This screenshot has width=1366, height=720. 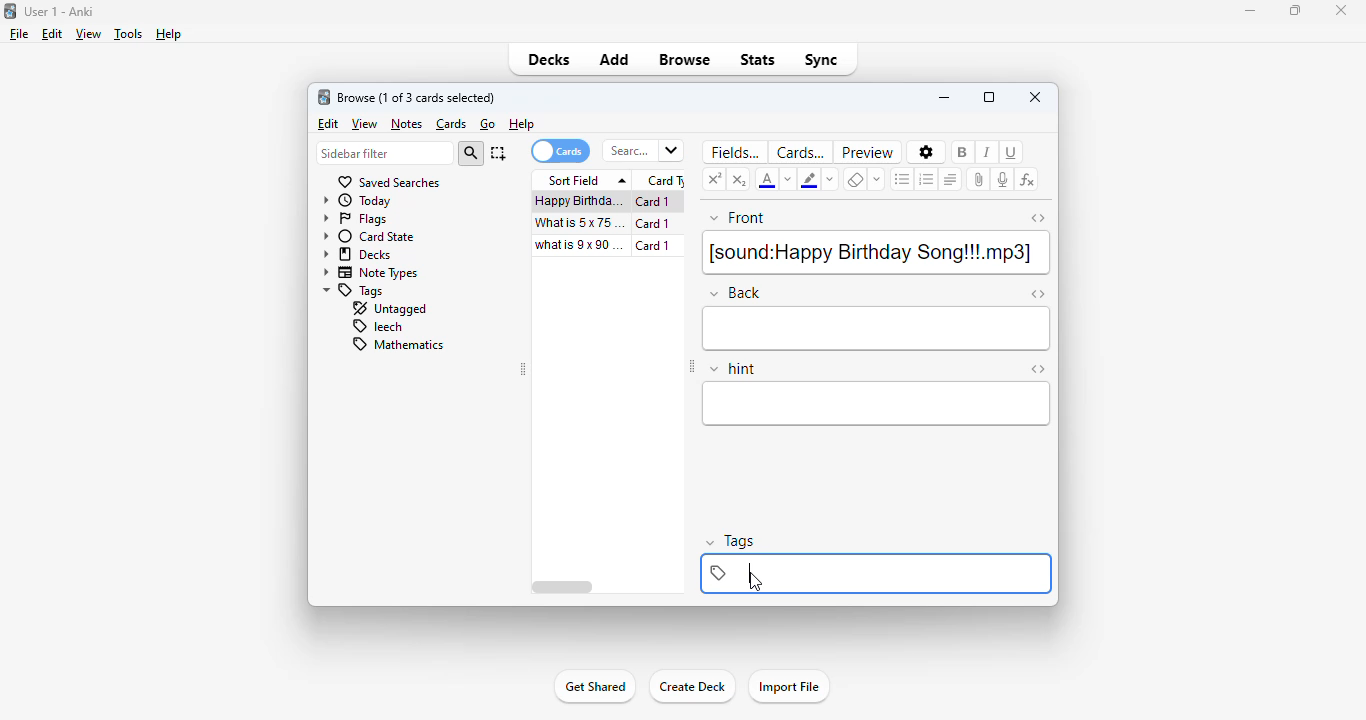 What do you see at coordinates (692, 368) in the screenshot?
I see `toggle sidebar` at bounding box center [692, 368].